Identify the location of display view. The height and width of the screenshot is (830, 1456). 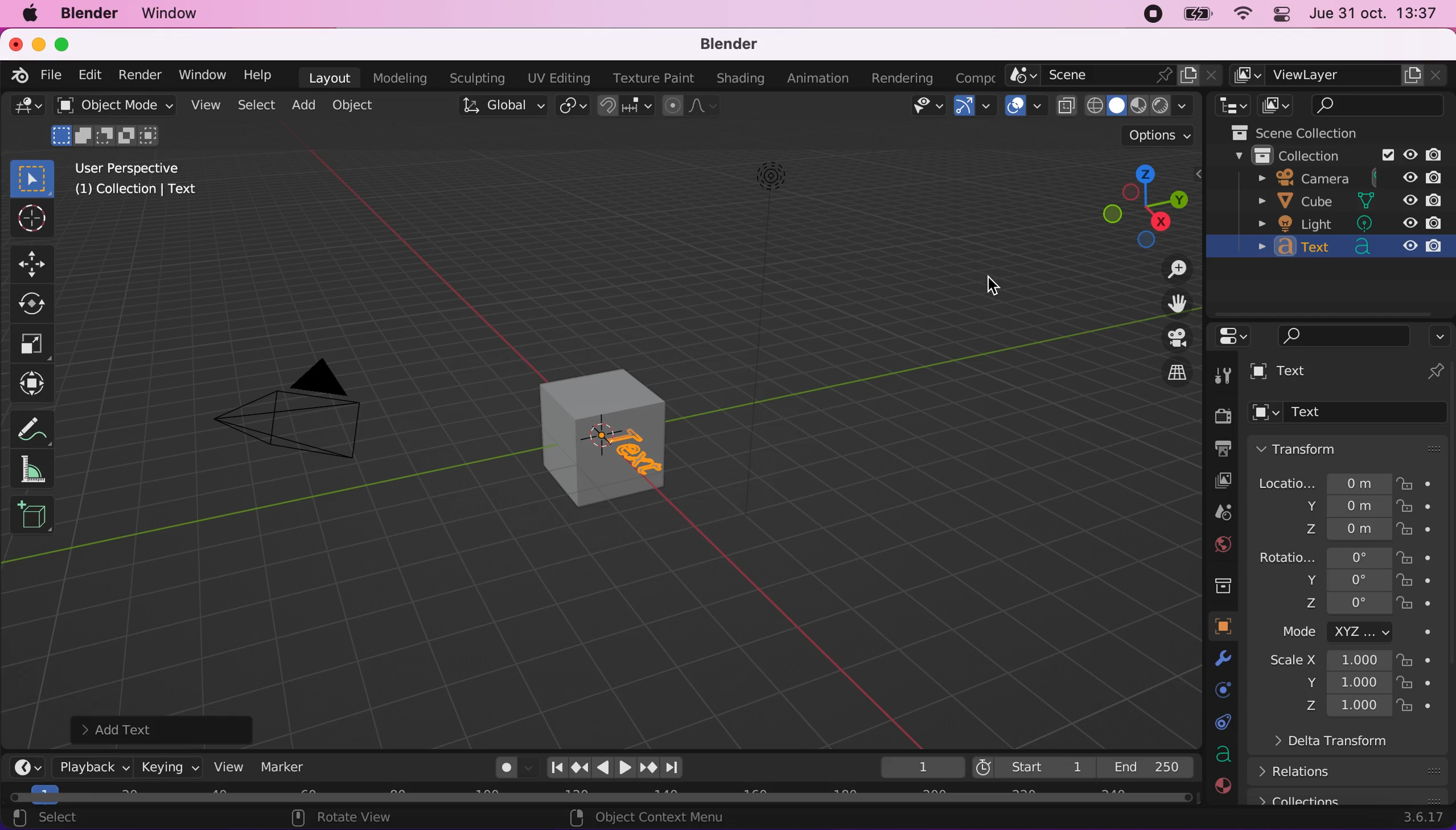
(1280, 106).